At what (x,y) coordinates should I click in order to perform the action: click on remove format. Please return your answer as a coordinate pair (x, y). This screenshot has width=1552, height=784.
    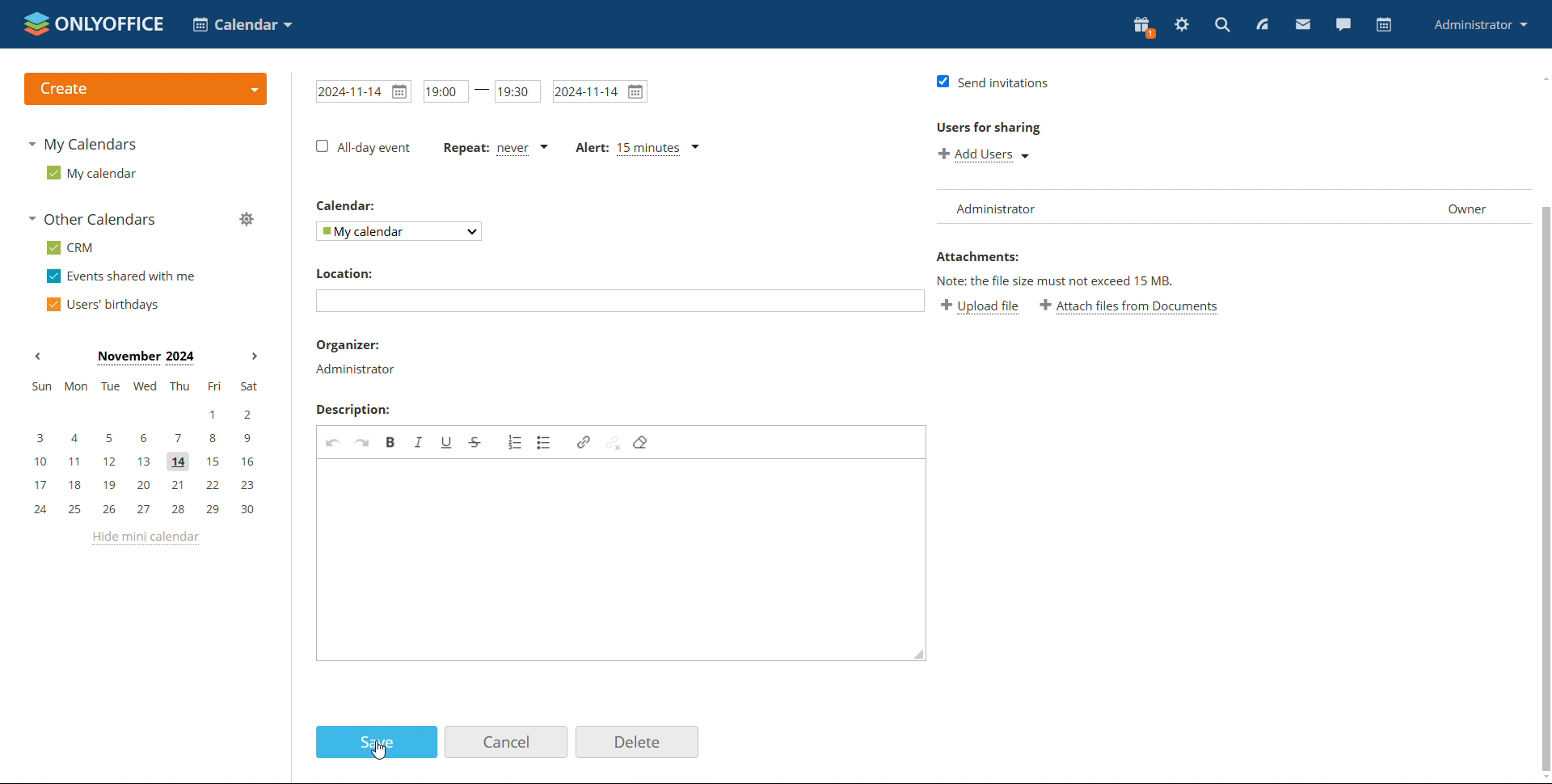
    Looking at the image, I should click on (647, 441).